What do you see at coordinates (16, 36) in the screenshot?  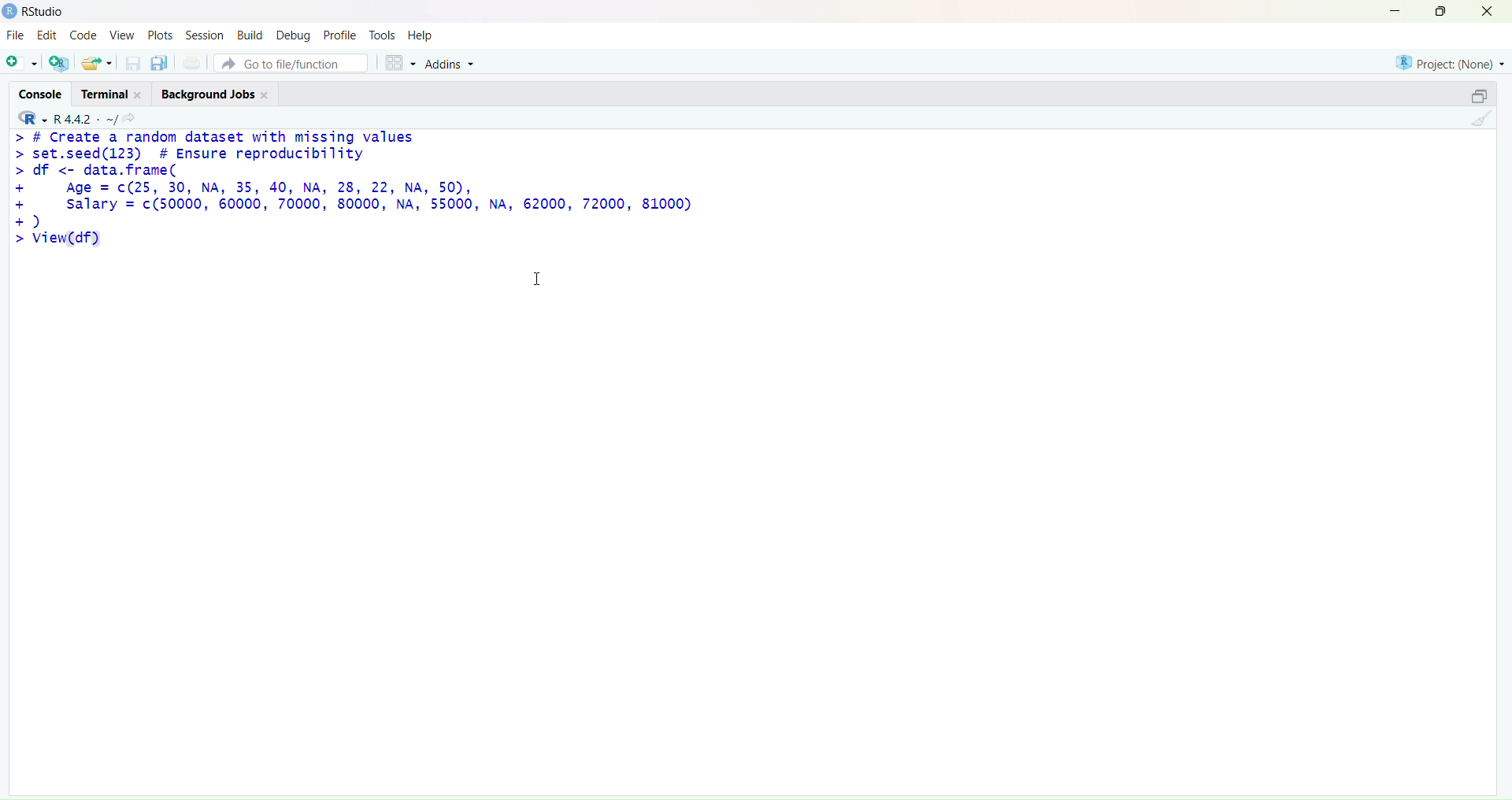 I see `file` at bounding box center [16, 36].